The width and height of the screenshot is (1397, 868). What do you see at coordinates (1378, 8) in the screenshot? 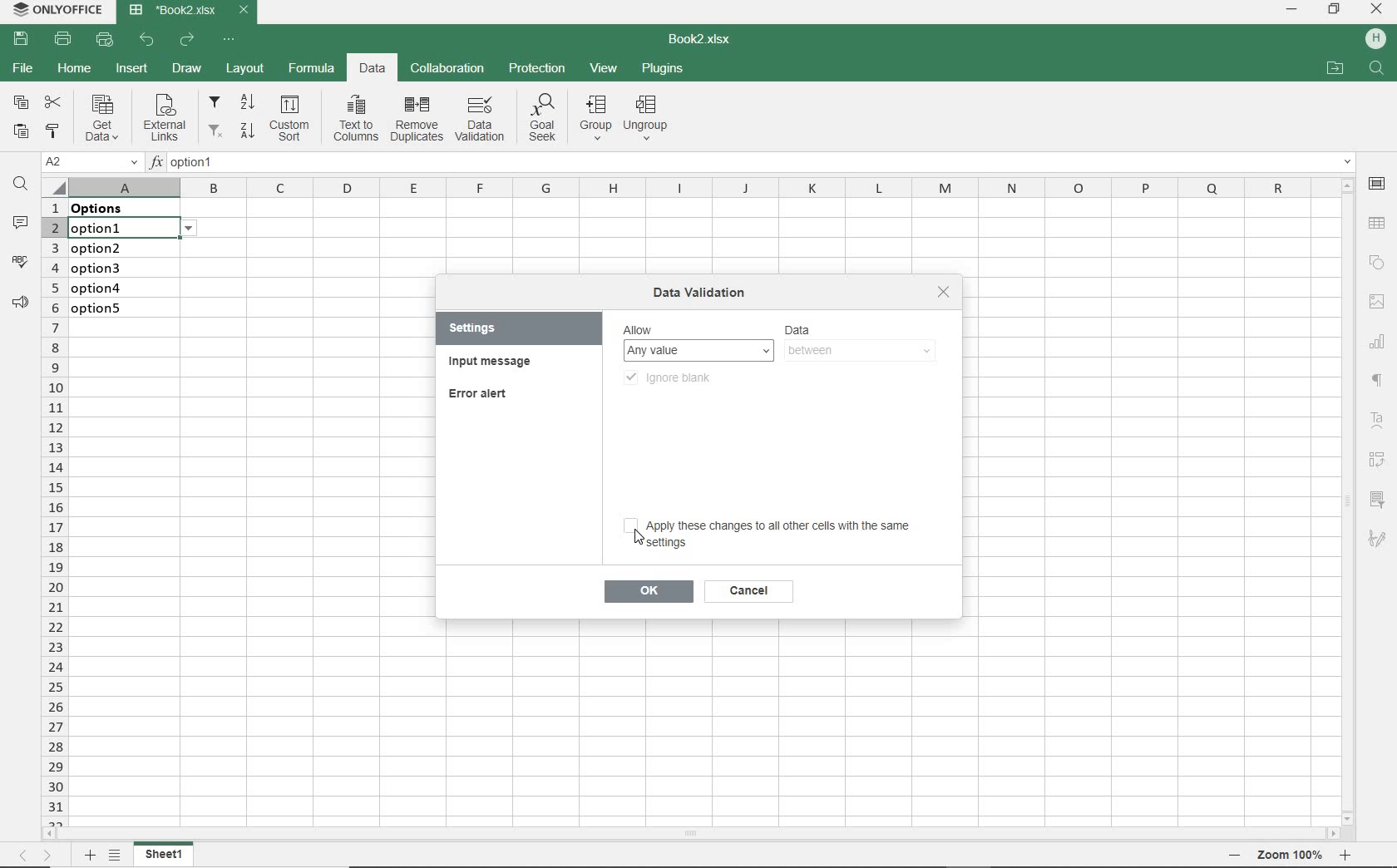
I see `CLOSE` at bounding box center [1378, 8].